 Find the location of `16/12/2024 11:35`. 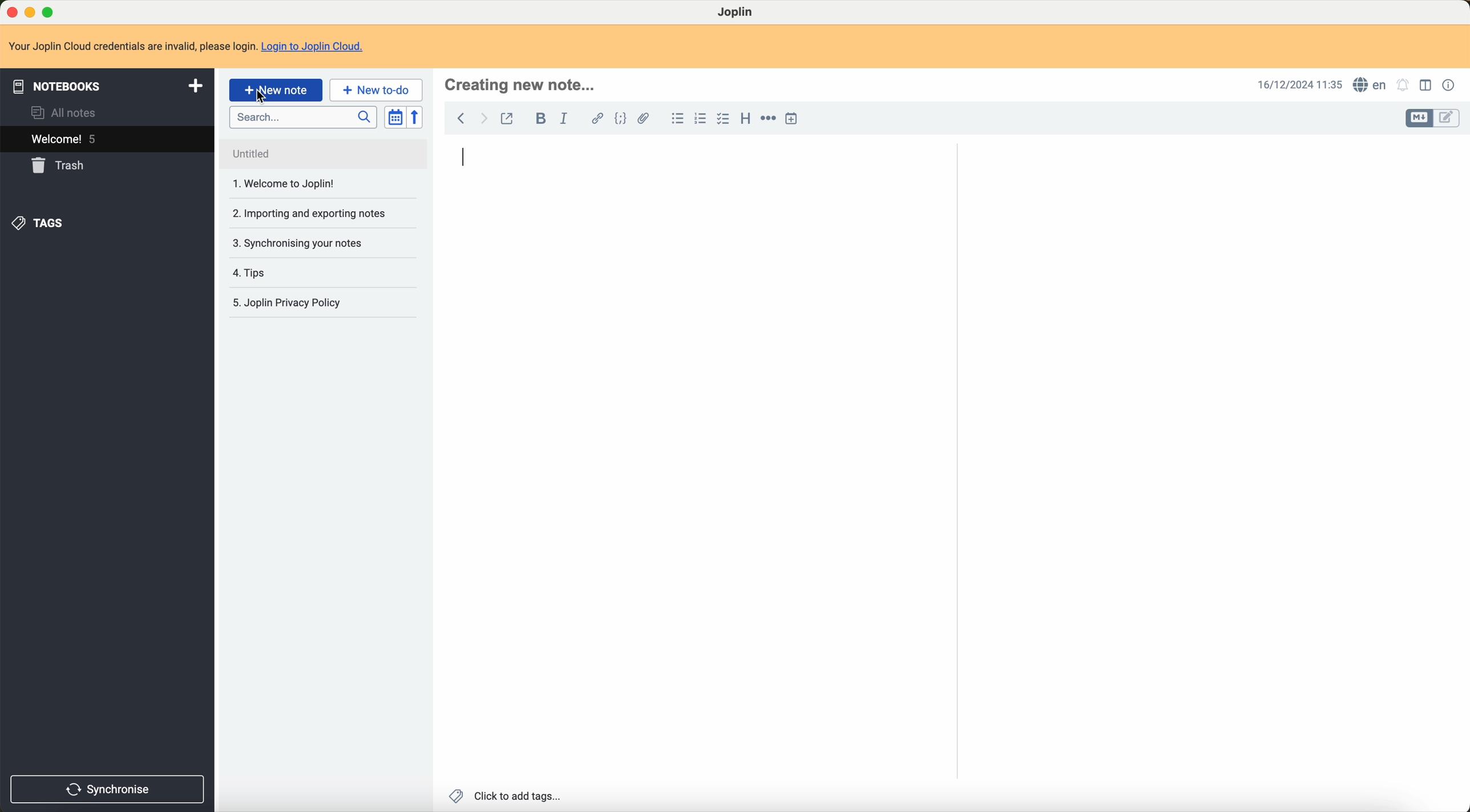

16/12/2024 11:35 is located at coordinates (1297, 85).